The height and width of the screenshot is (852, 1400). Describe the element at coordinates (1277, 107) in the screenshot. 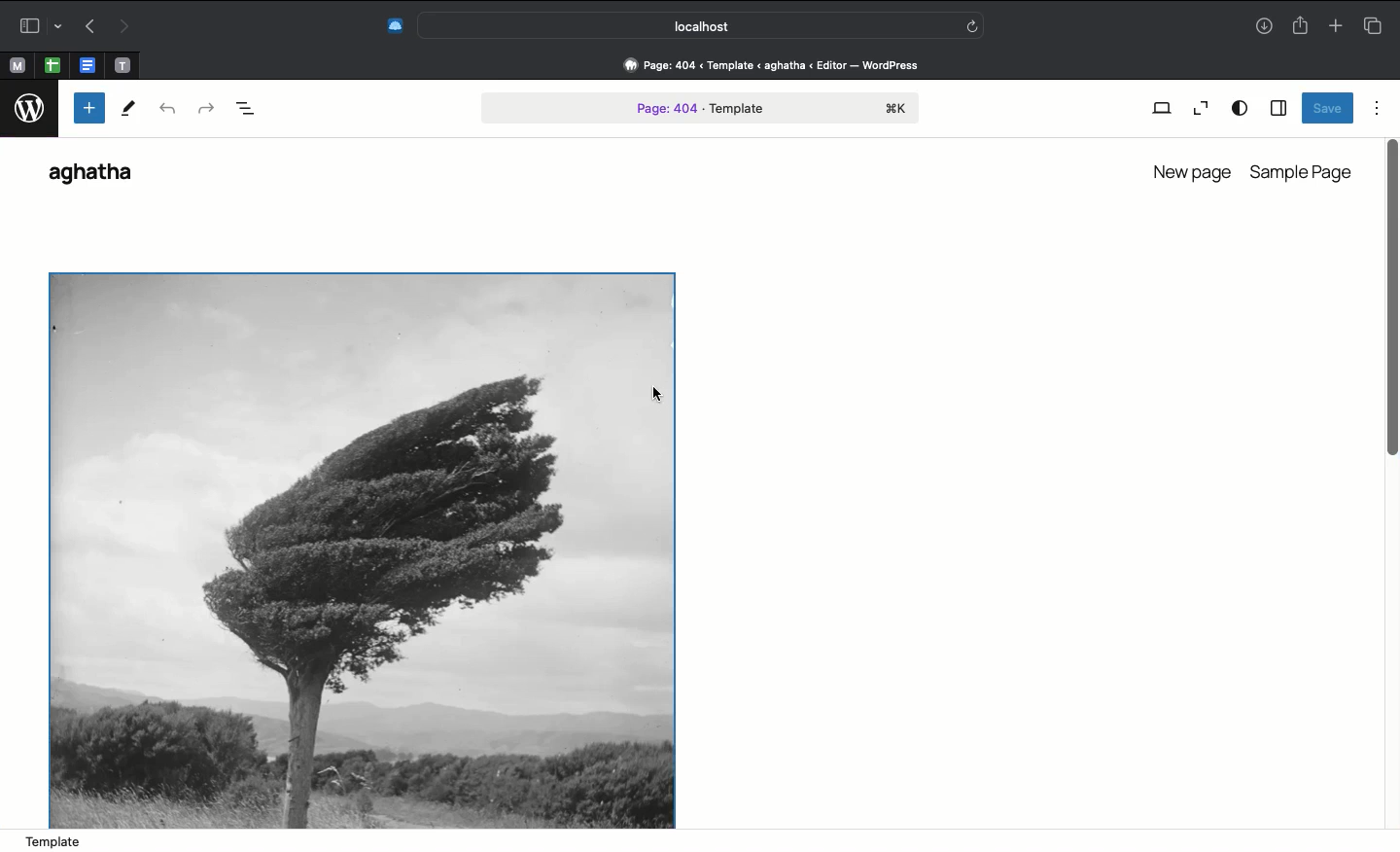

I see `Sidebar` at that location.